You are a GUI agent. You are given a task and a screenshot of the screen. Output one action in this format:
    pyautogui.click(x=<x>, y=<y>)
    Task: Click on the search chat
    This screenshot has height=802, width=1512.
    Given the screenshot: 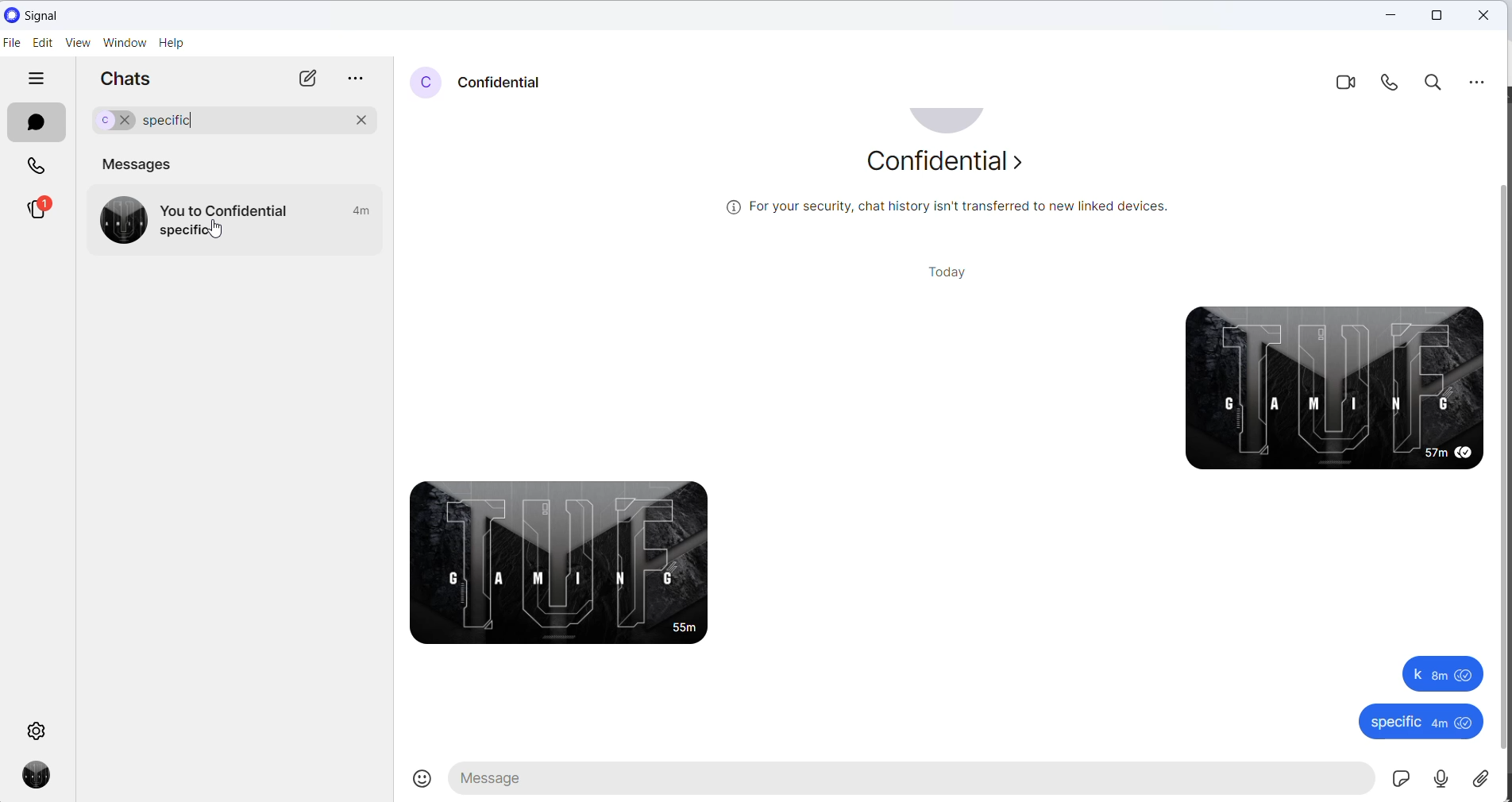 What is the action you would take?
    pyautogui.click(x=300, y=122)
    